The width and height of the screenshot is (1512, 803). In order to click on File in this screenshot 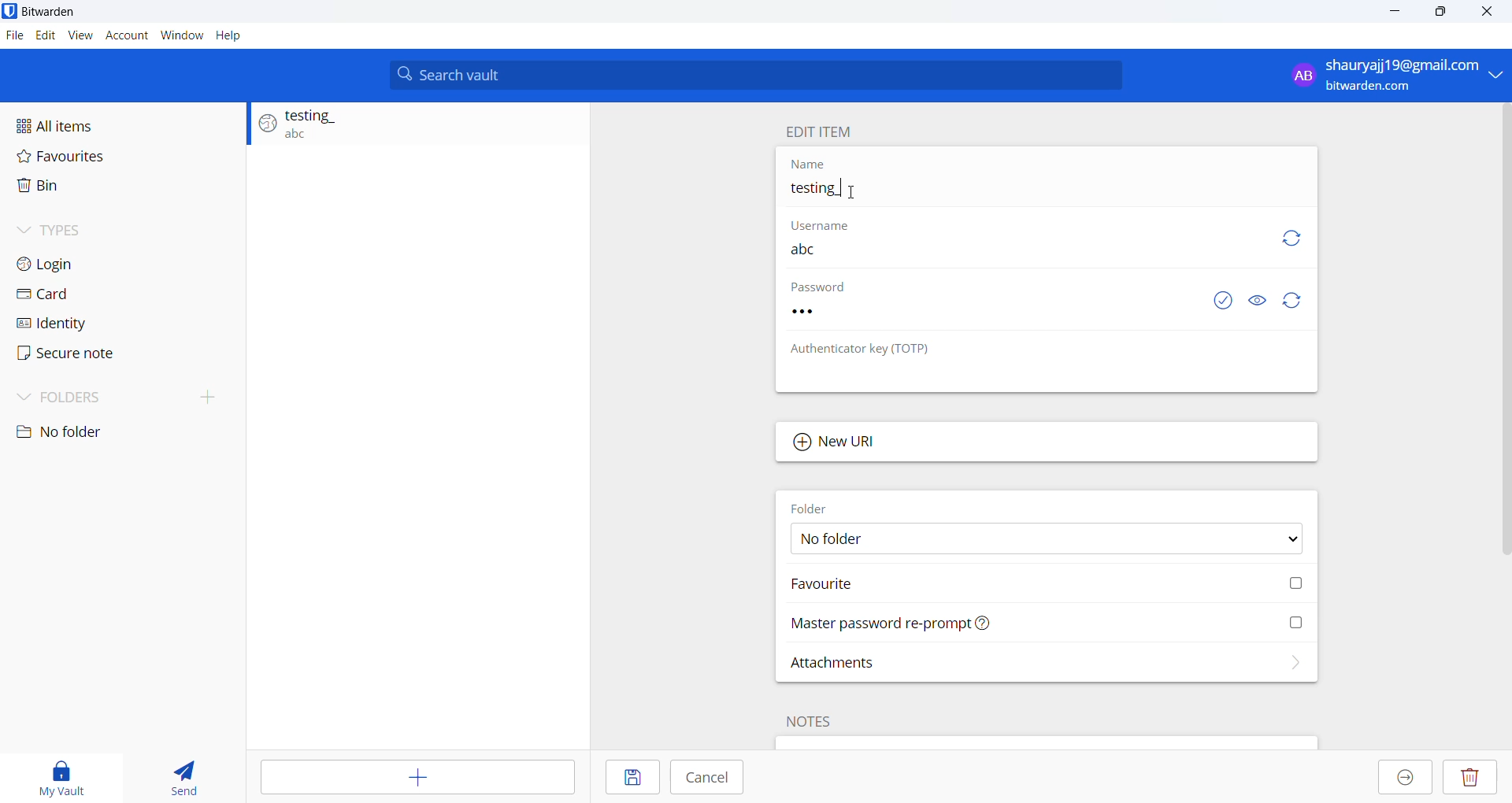, I will do `click(15, 37)`.